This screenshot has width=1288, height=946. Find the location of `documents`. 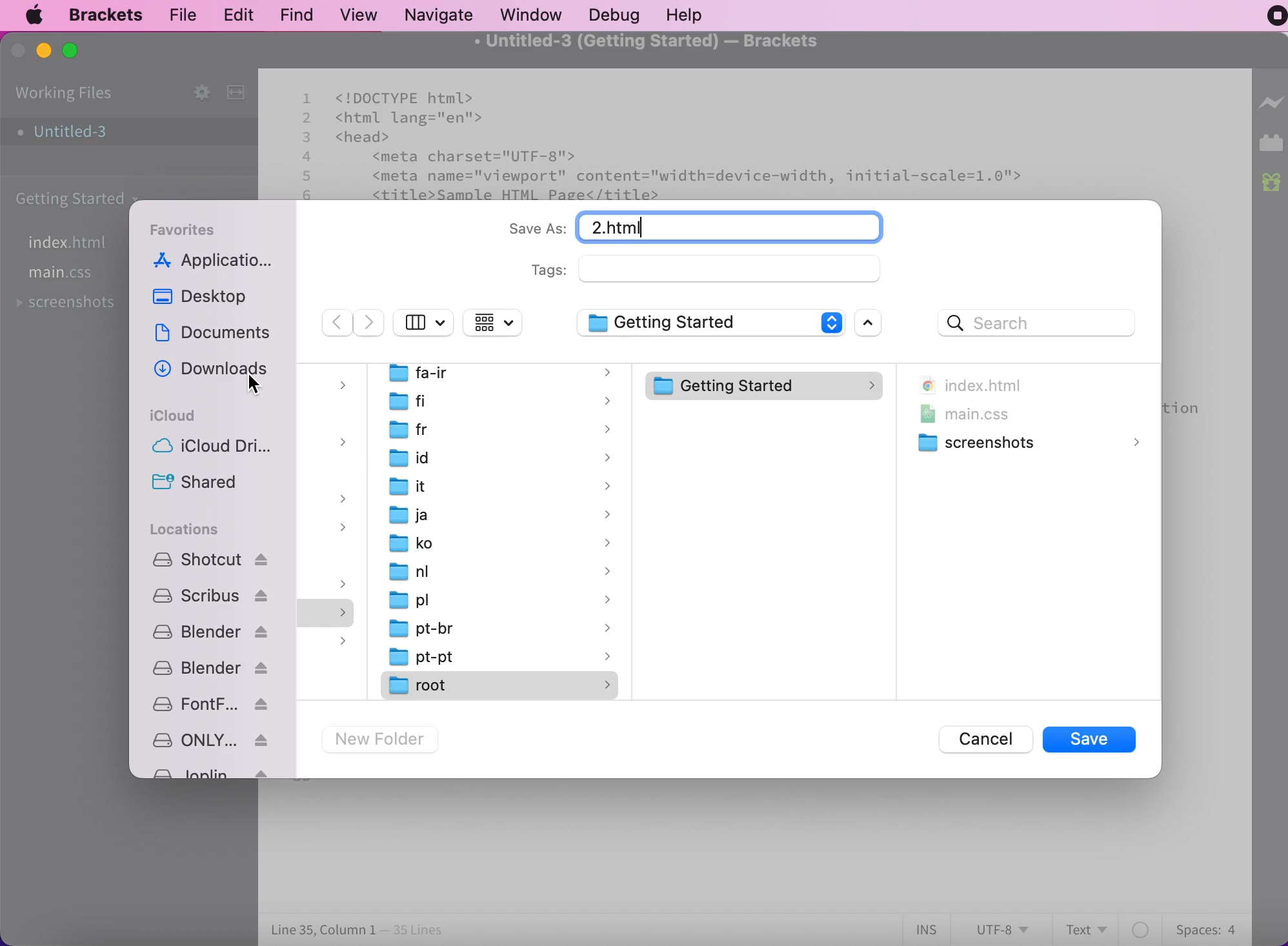

documents is located at coordinates (217, 334).